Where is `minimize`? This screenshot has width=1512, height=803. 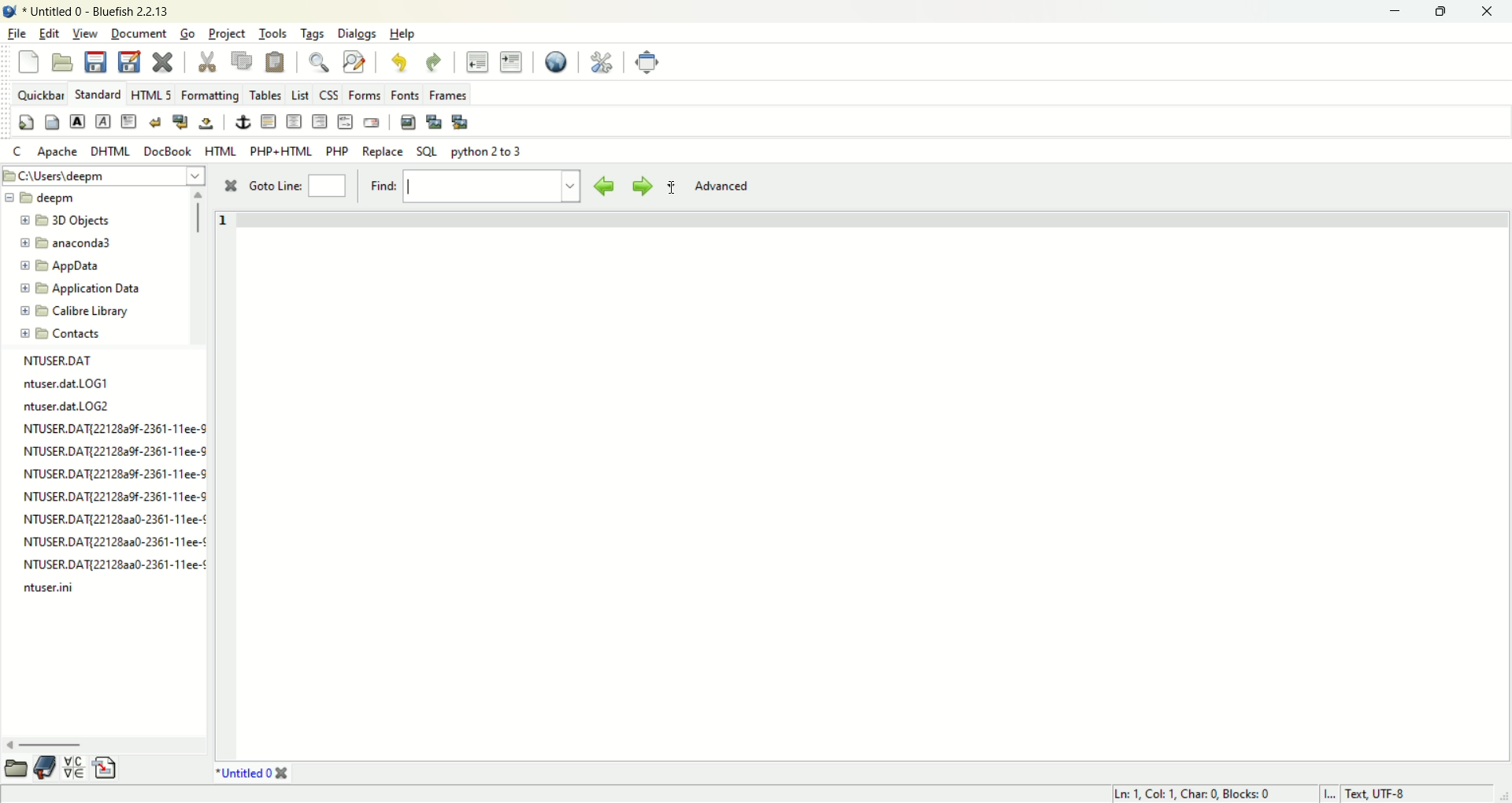 minimize is located at coordinates (1392, 13).